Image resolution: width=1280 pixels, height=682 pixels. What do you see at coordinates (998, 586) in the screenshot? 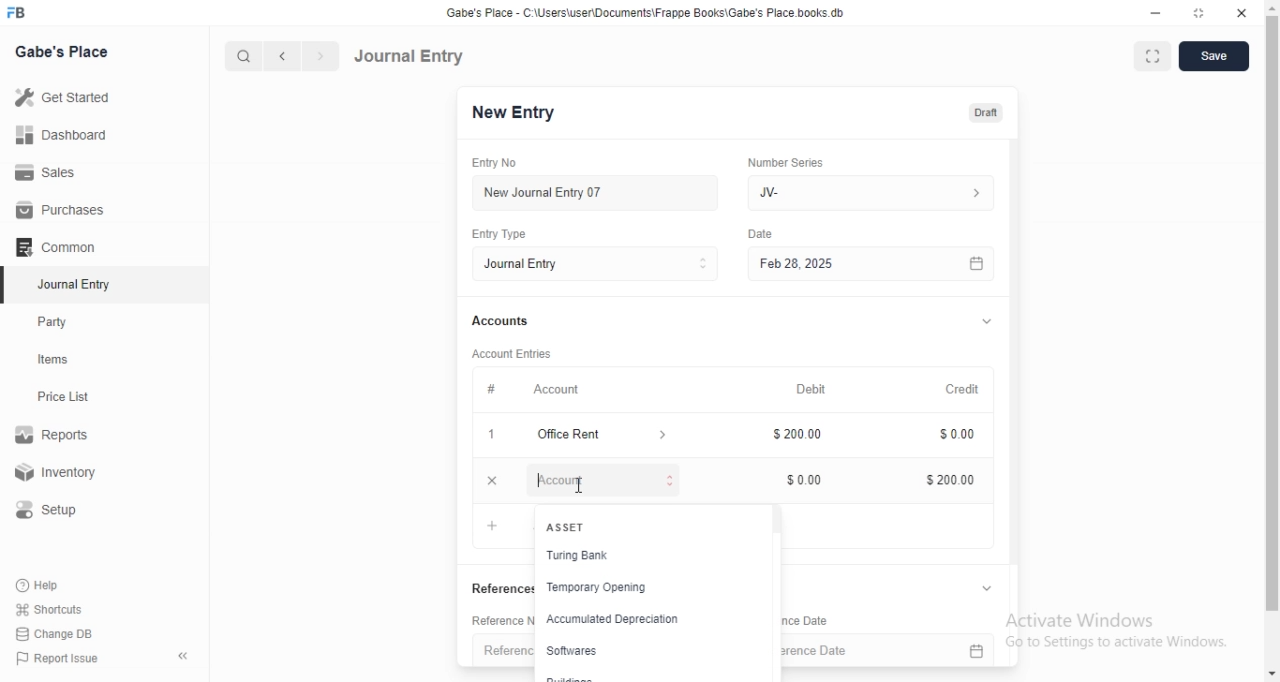
I see `v` at bounding box center [998, 586].